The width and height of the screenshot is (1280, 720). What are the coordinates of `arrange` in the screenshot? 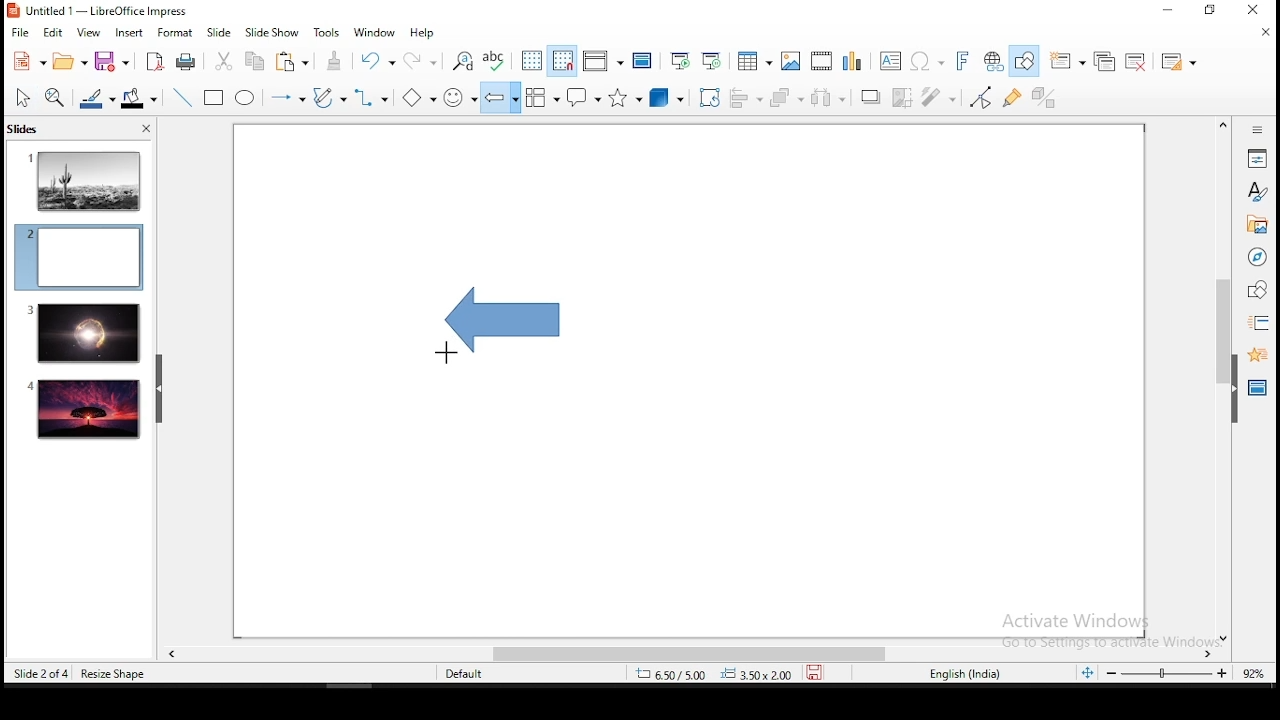 It's located at (789, 99).